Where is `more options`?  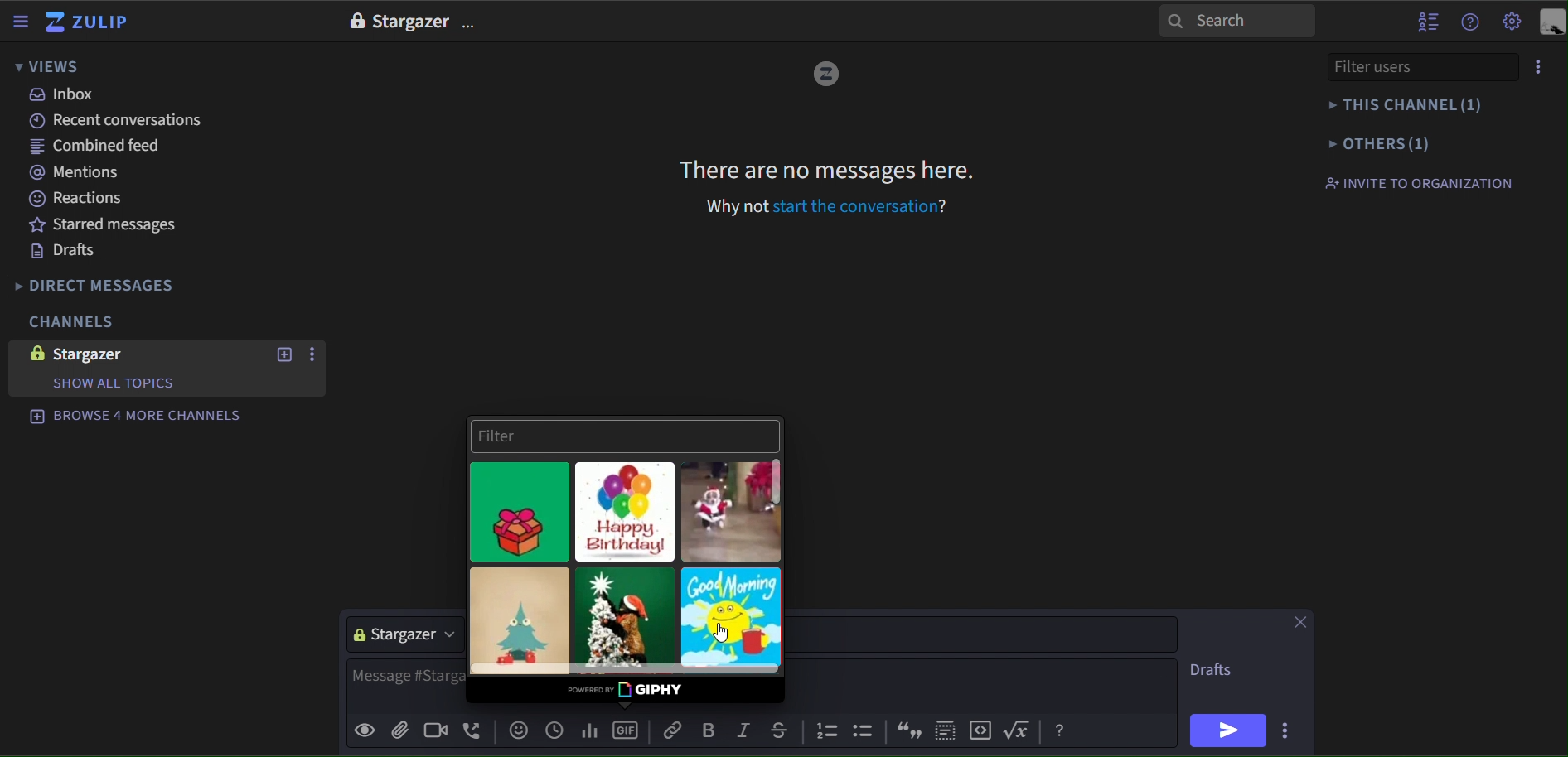
more options is located at coordinates (1289, 728).